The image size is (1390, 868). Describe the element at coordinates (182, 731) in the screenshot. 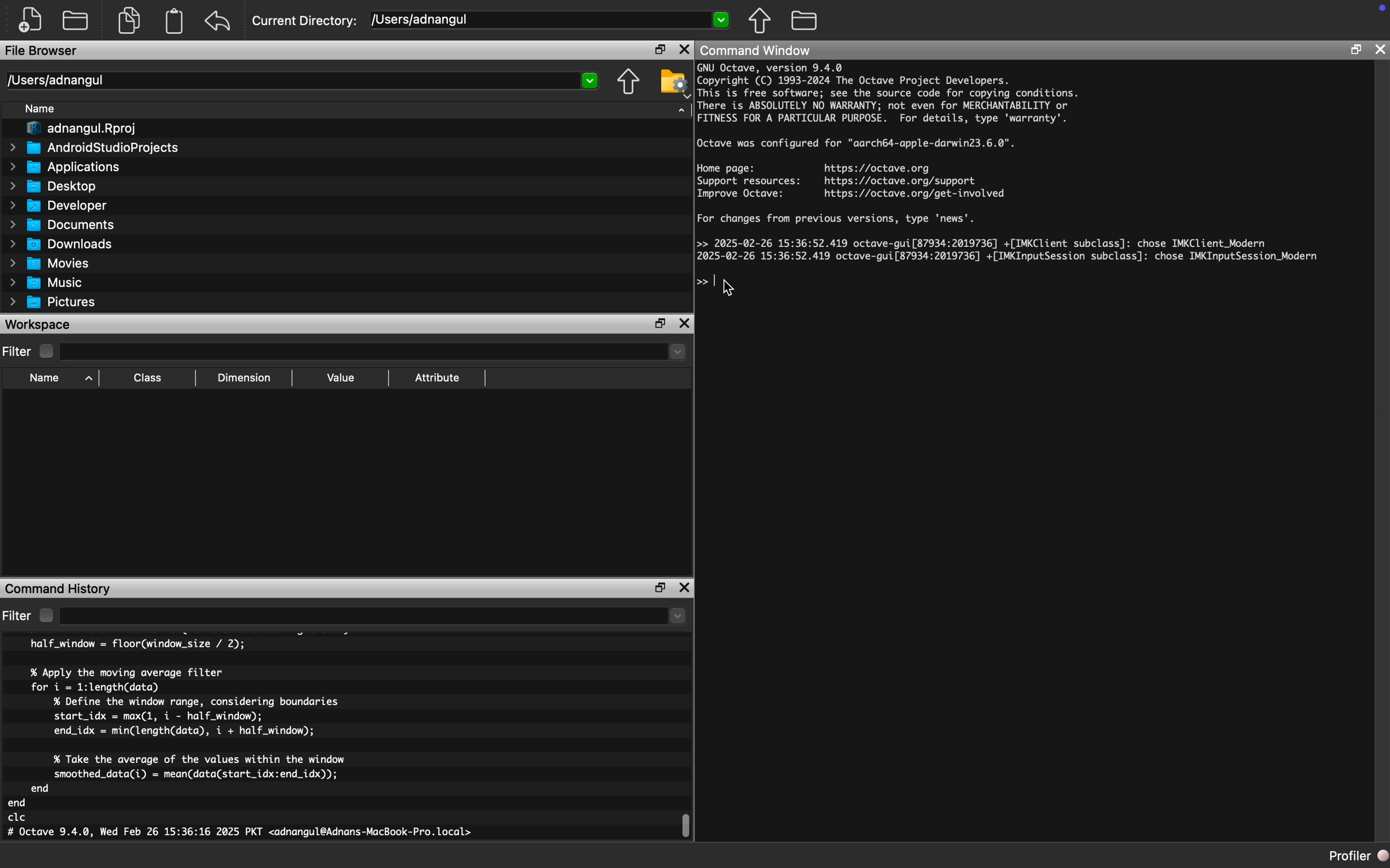

I see `half_window = floor(window_size / 2);
% Apply the moving average filter
for i = 1:length(data)
% Define the window range, considering boundaries
start_idx = max(1, i - half_window);
end_idx = min(length(data), i + half_window);
% Take the average of the values within the window
smoothed_data(i) = mean(data(start_idx:end_idx));
end
end
cle` at that location.